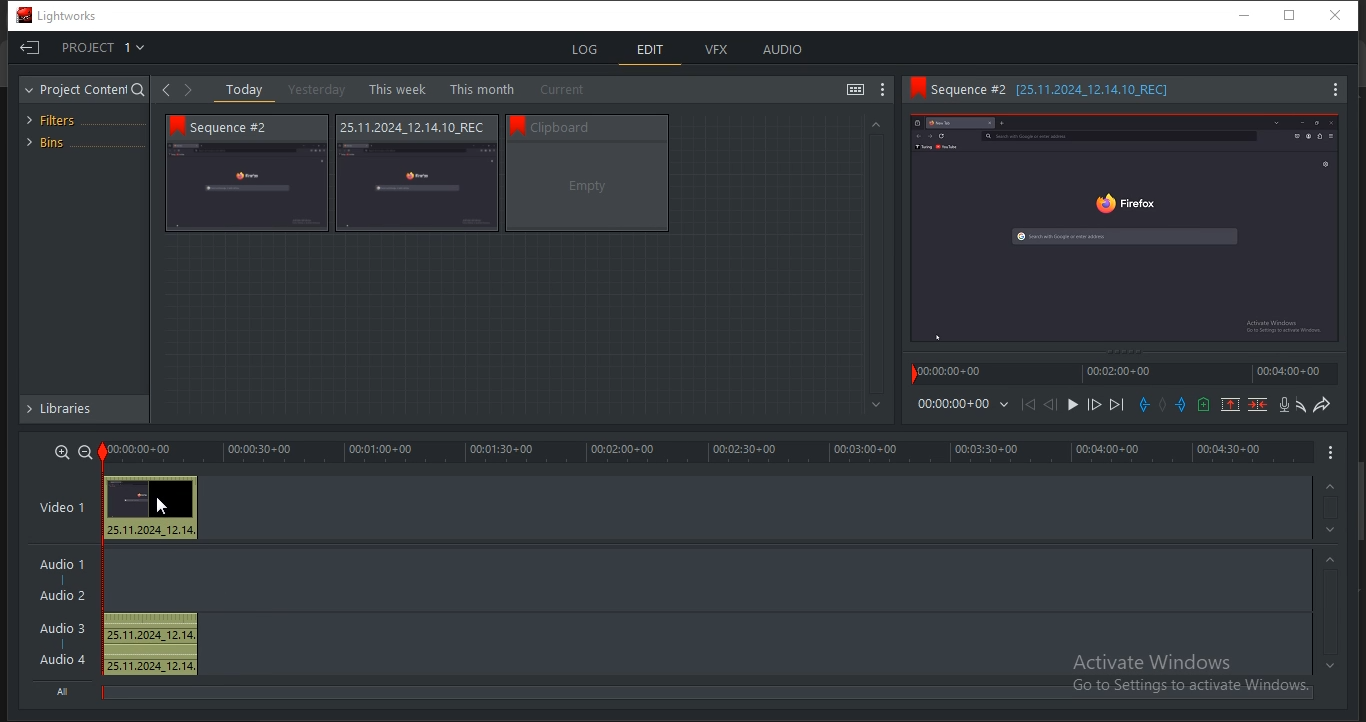 The height and width of the screenshot is (722, 1366). I want to click on Sequence # 2, so click(242, 127).